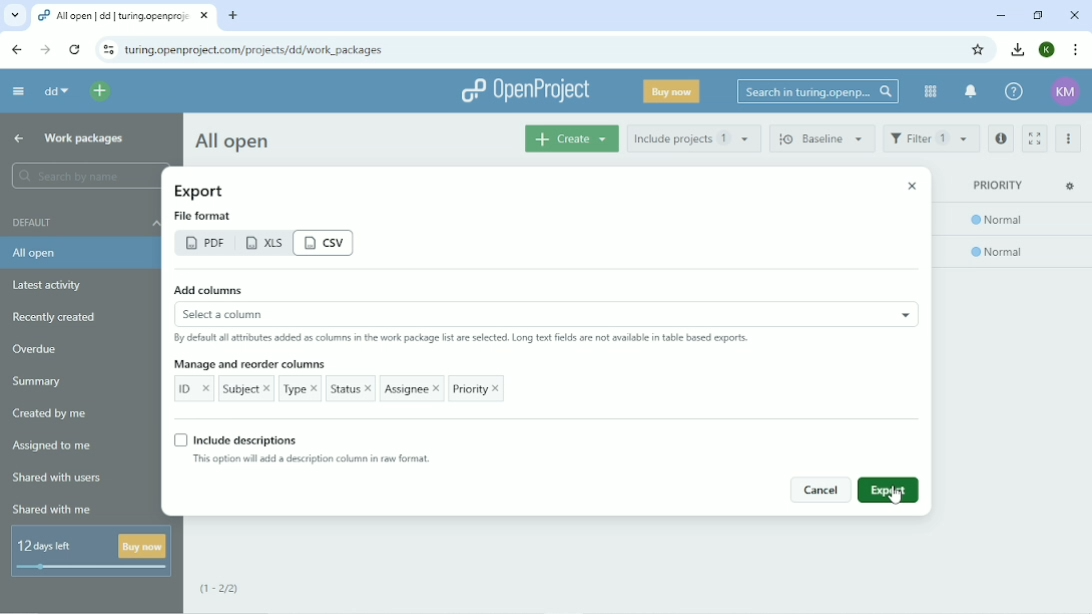 Image resolution: width=1092 pixels, height=614 pixels. Describe the element at coordinates (54, 510) in the screenshot. I see `Shared with me` at that location.